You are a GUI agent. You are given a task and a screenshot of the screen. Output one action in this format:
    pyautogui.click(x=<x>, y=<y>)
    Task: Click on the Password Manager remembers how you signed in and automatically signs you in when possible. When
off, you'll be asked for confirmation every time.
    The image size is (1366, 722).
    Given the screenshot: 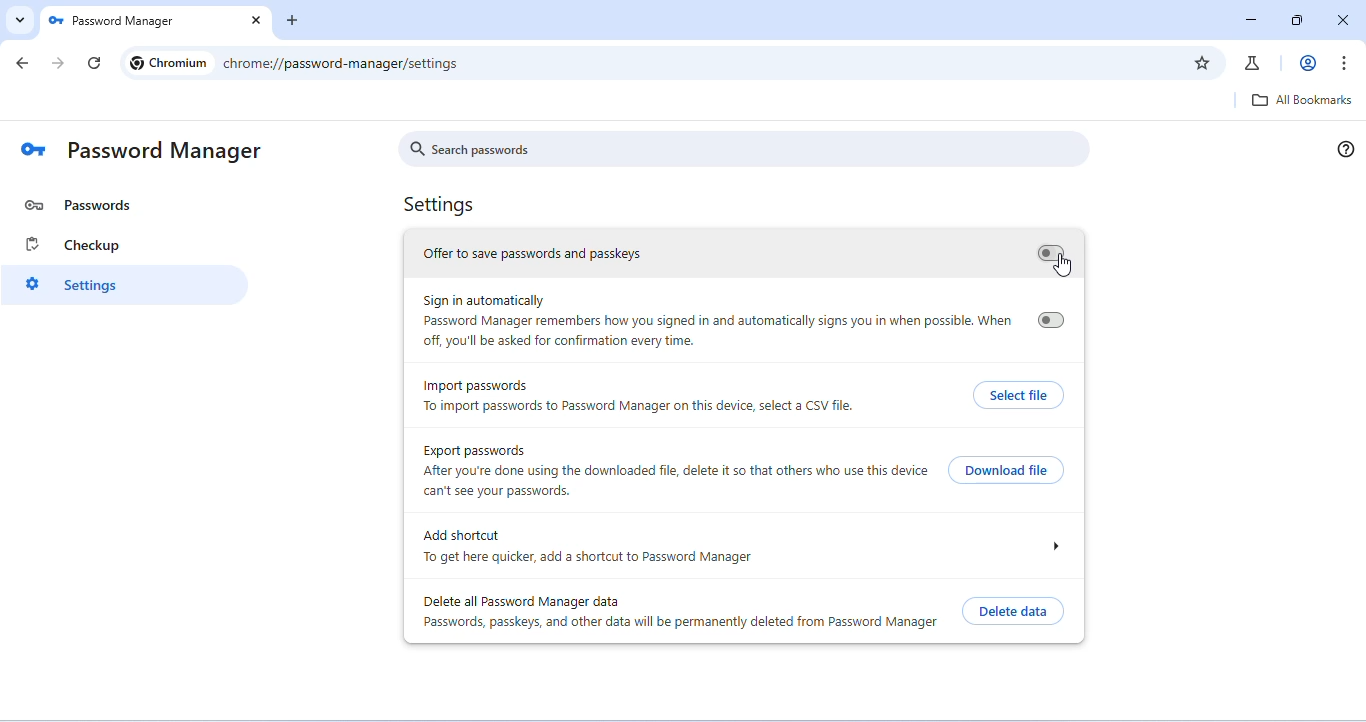 What is the action you would take?
    pyautogui.click(x=717, y=332)
    